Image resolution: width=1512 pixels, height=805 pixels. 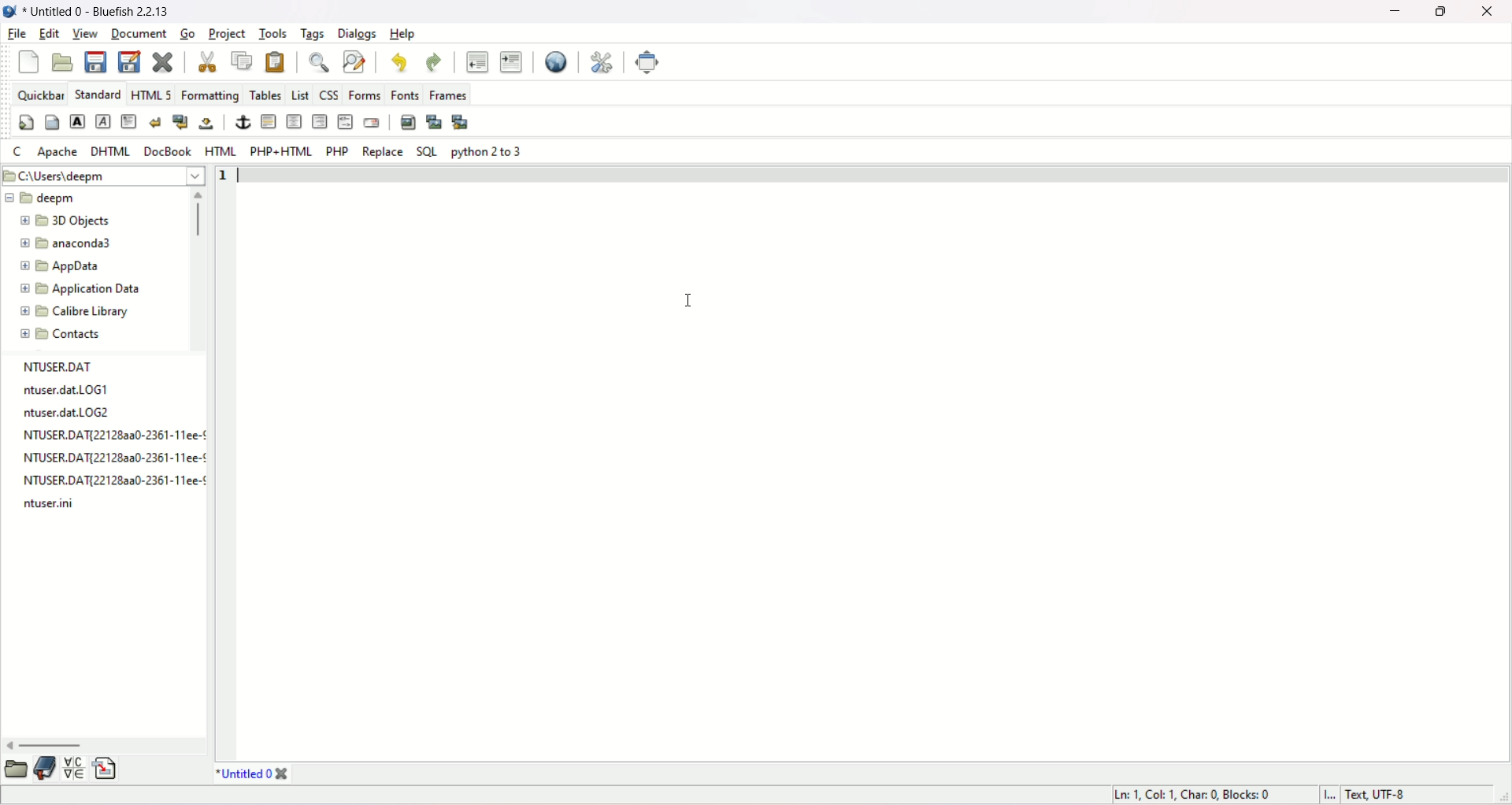 What do you see at coordinates (46, 767) in the screenshot?
I see `bookmarks` at bounding box center [46, 767].